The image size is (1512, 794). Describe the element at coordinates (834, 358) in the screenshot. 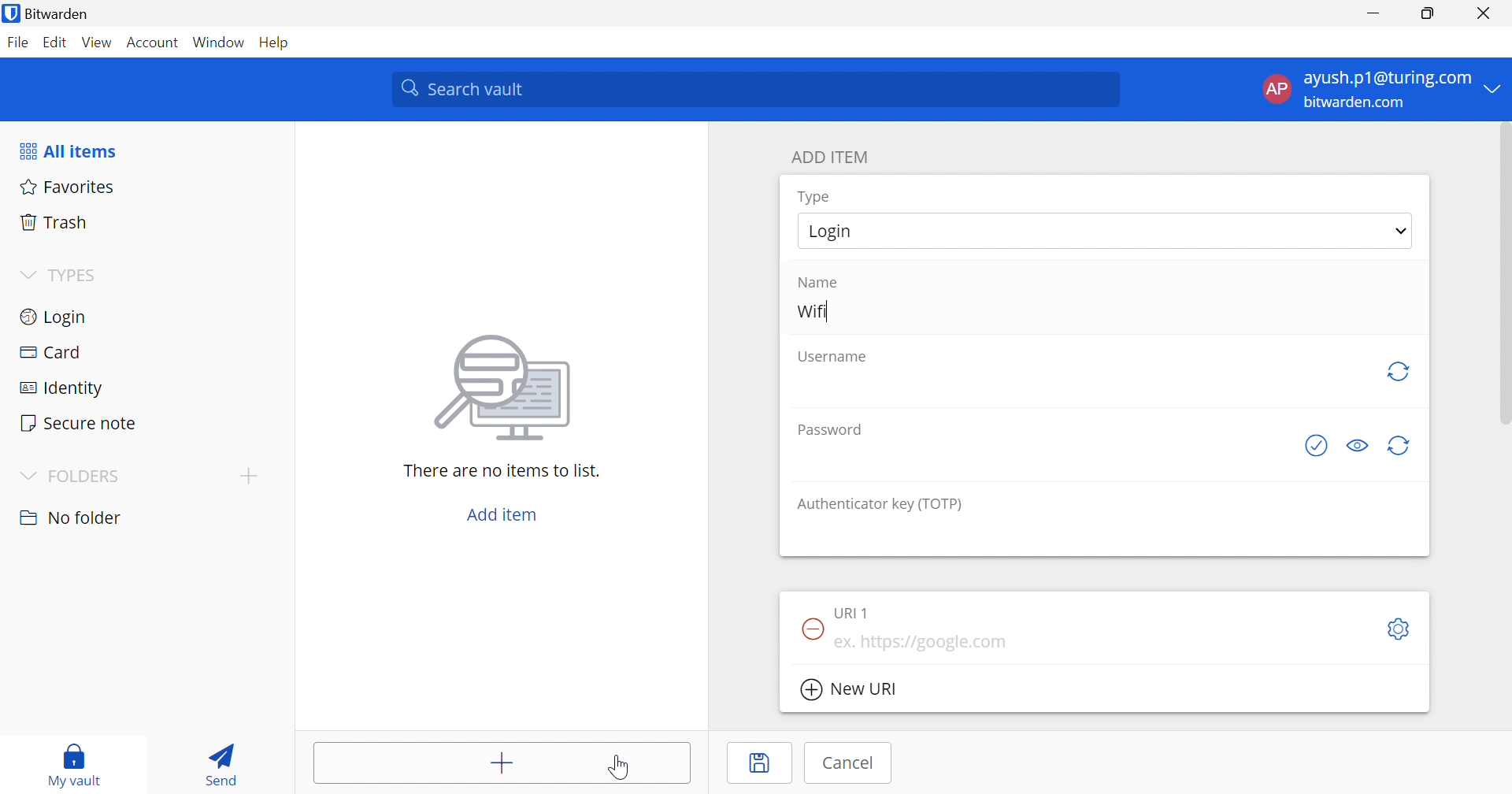

I see `Username` at that location.